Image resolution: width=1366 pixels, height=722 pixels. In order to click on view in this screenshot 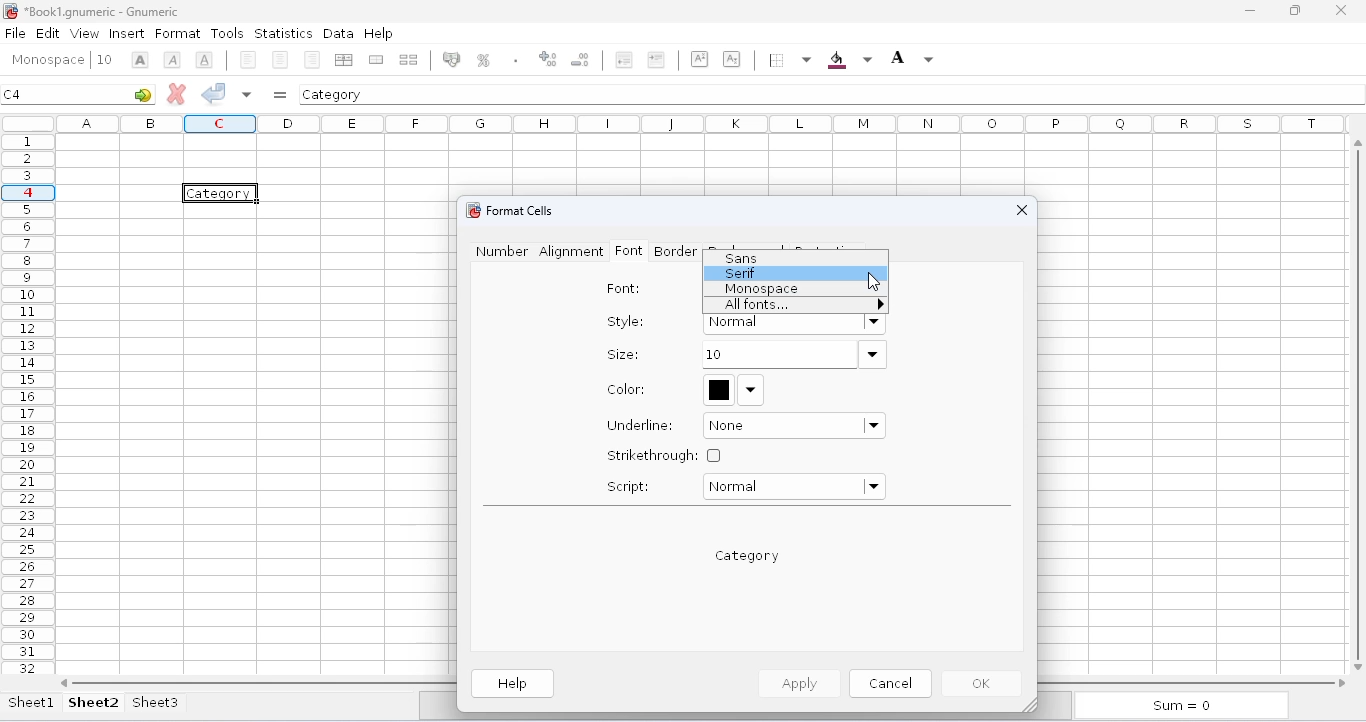, I will do `click(85, 33)`.